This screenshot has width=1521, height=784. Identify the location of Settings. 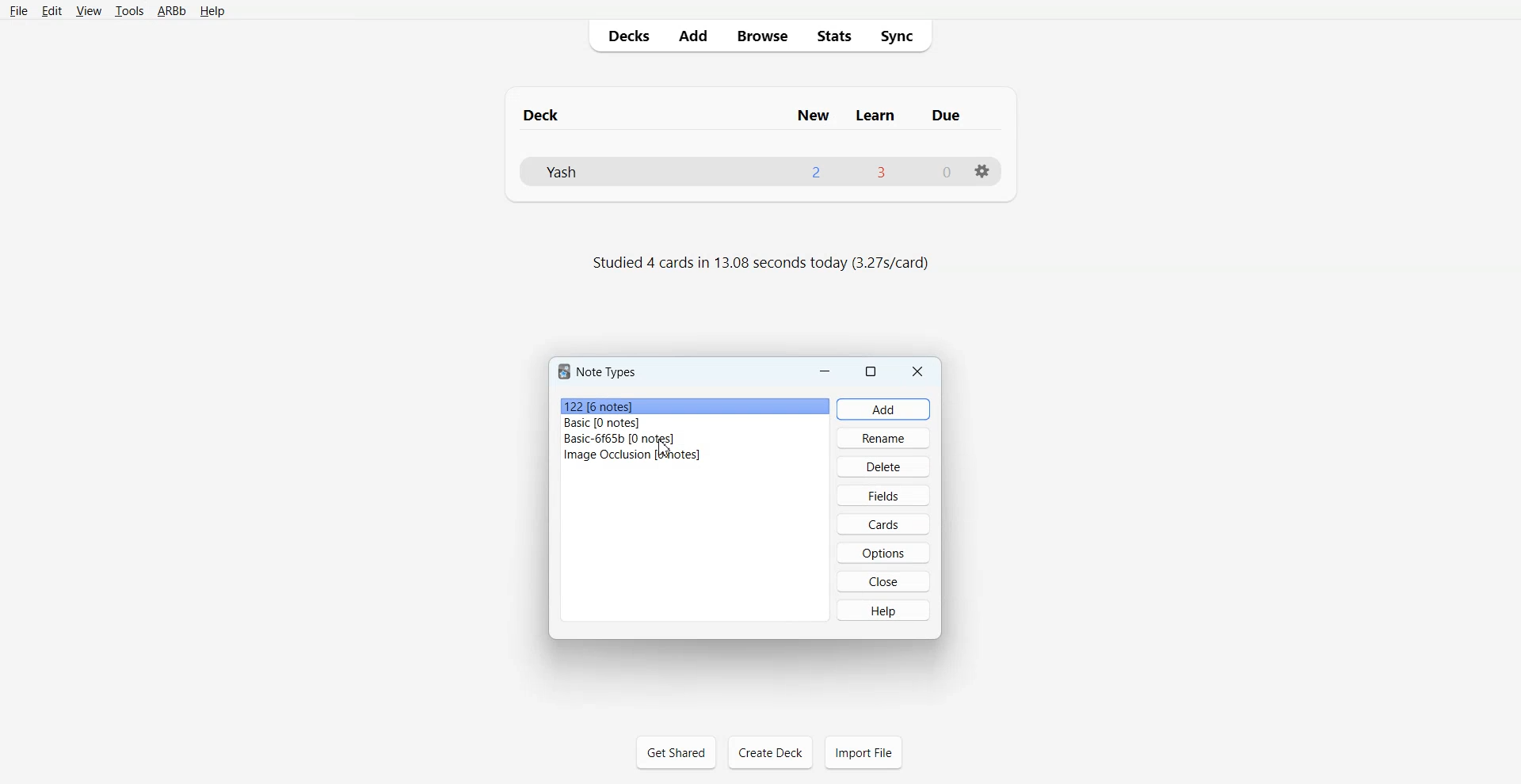
(983, 172).